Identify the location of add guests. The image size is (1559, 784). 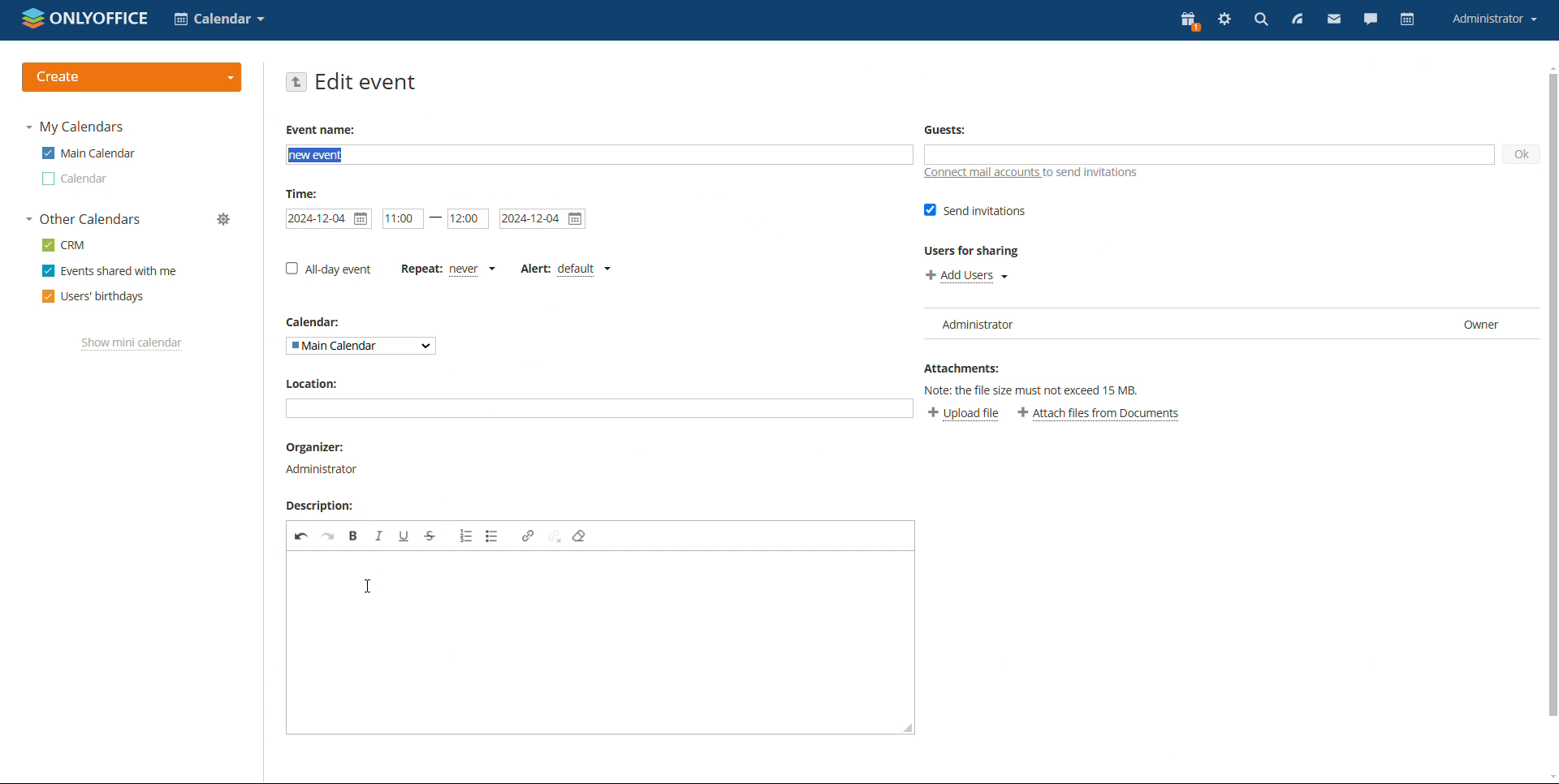
(1207, 154).